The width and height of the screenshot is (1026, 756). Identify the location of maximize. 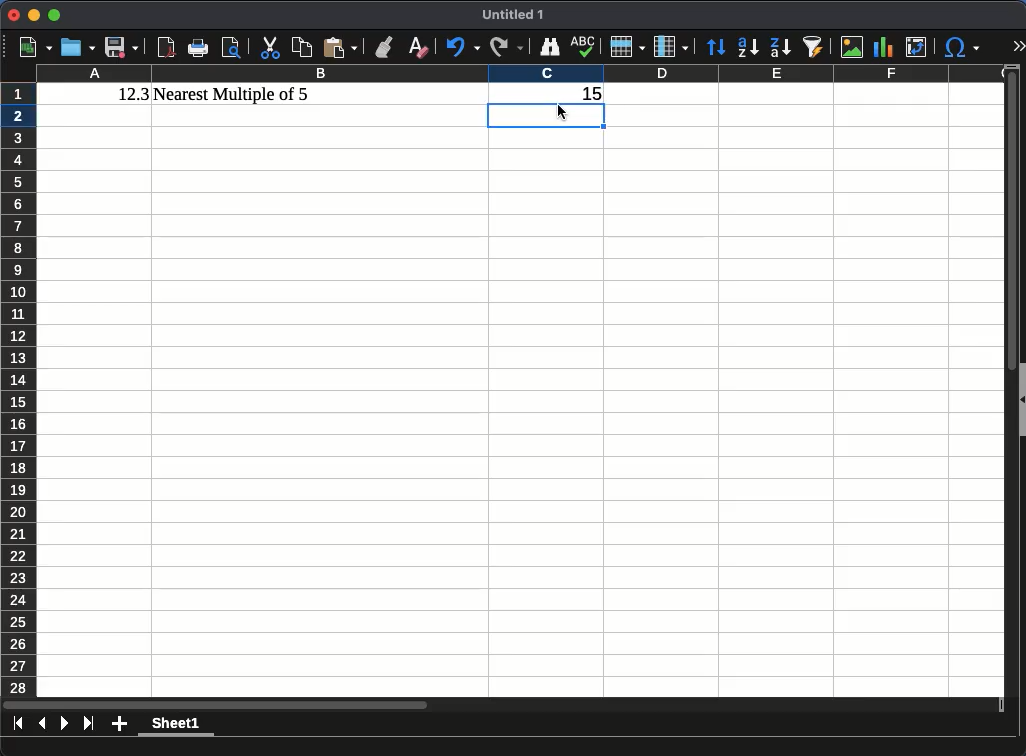
(53, 14).